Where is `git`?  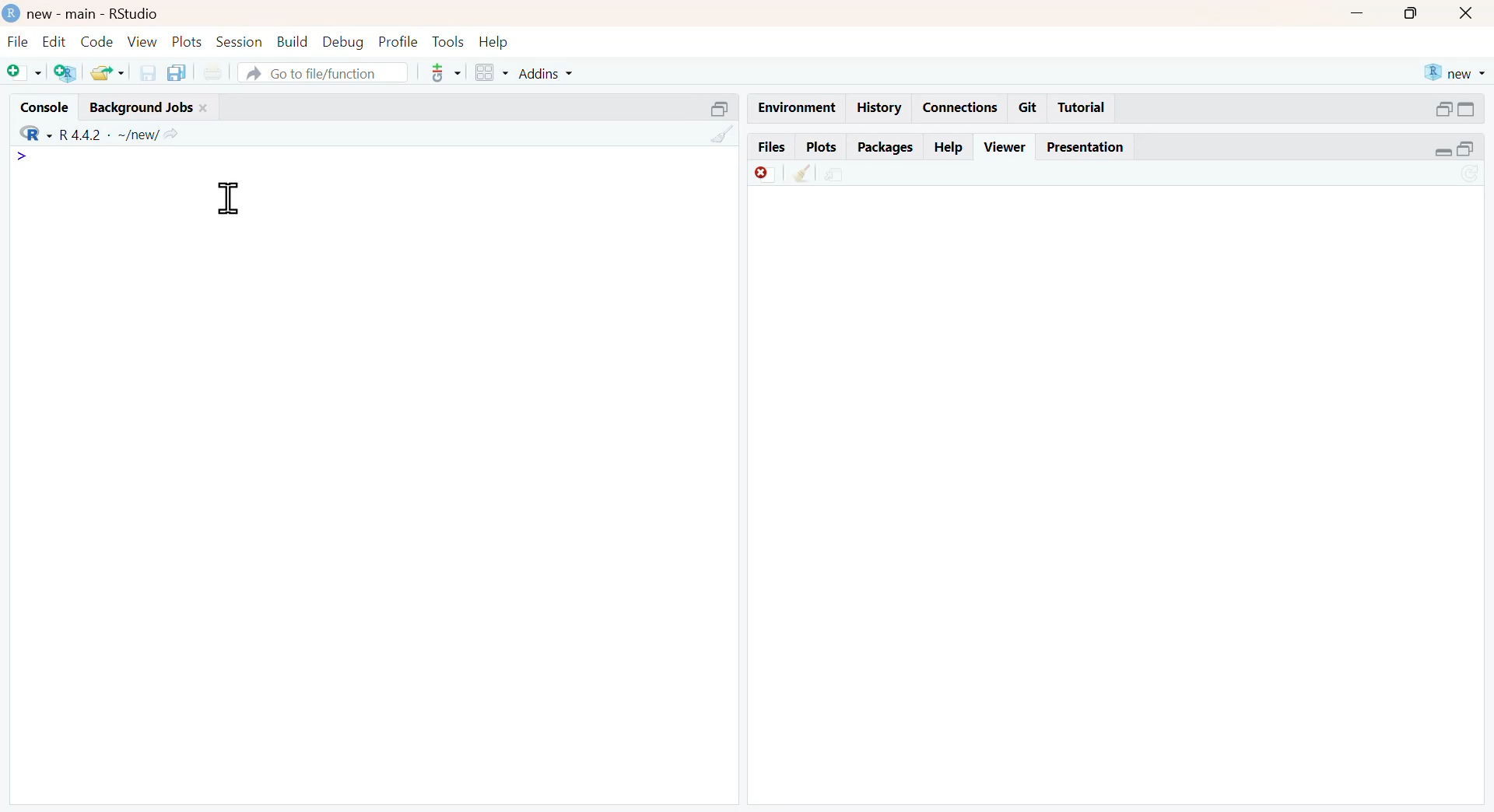
git is located at coordinates (1029, 107).